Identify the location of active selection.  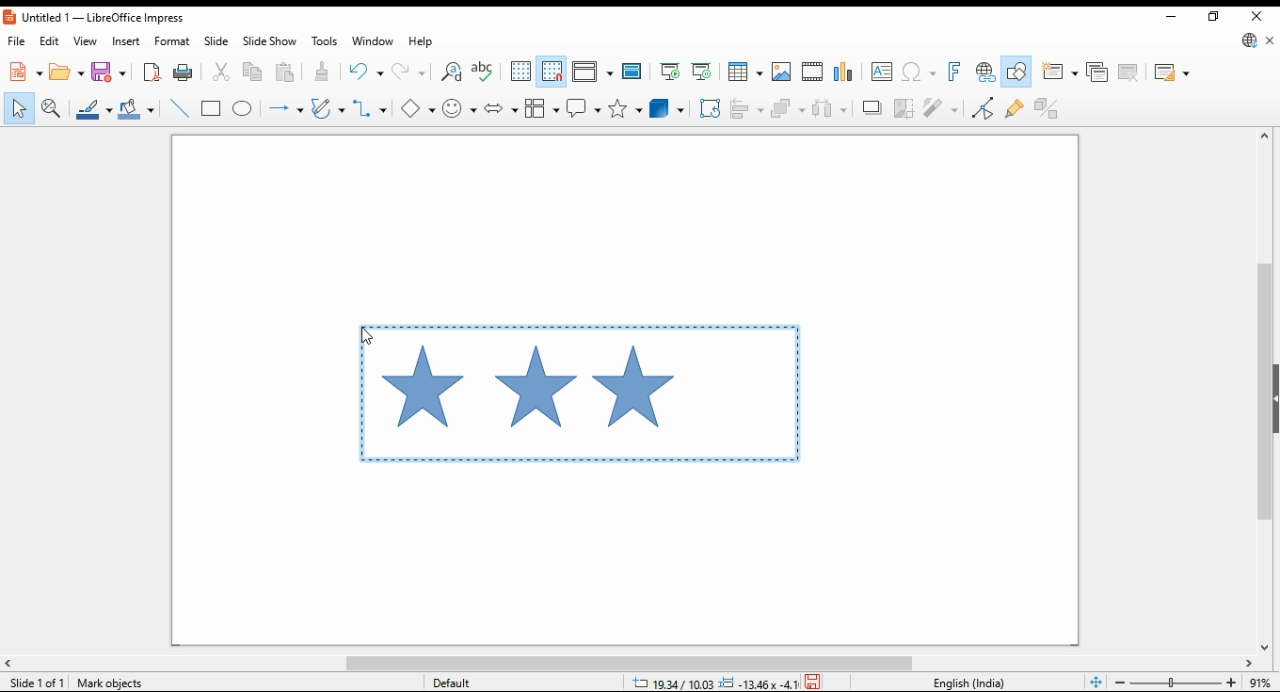
(576, 397).